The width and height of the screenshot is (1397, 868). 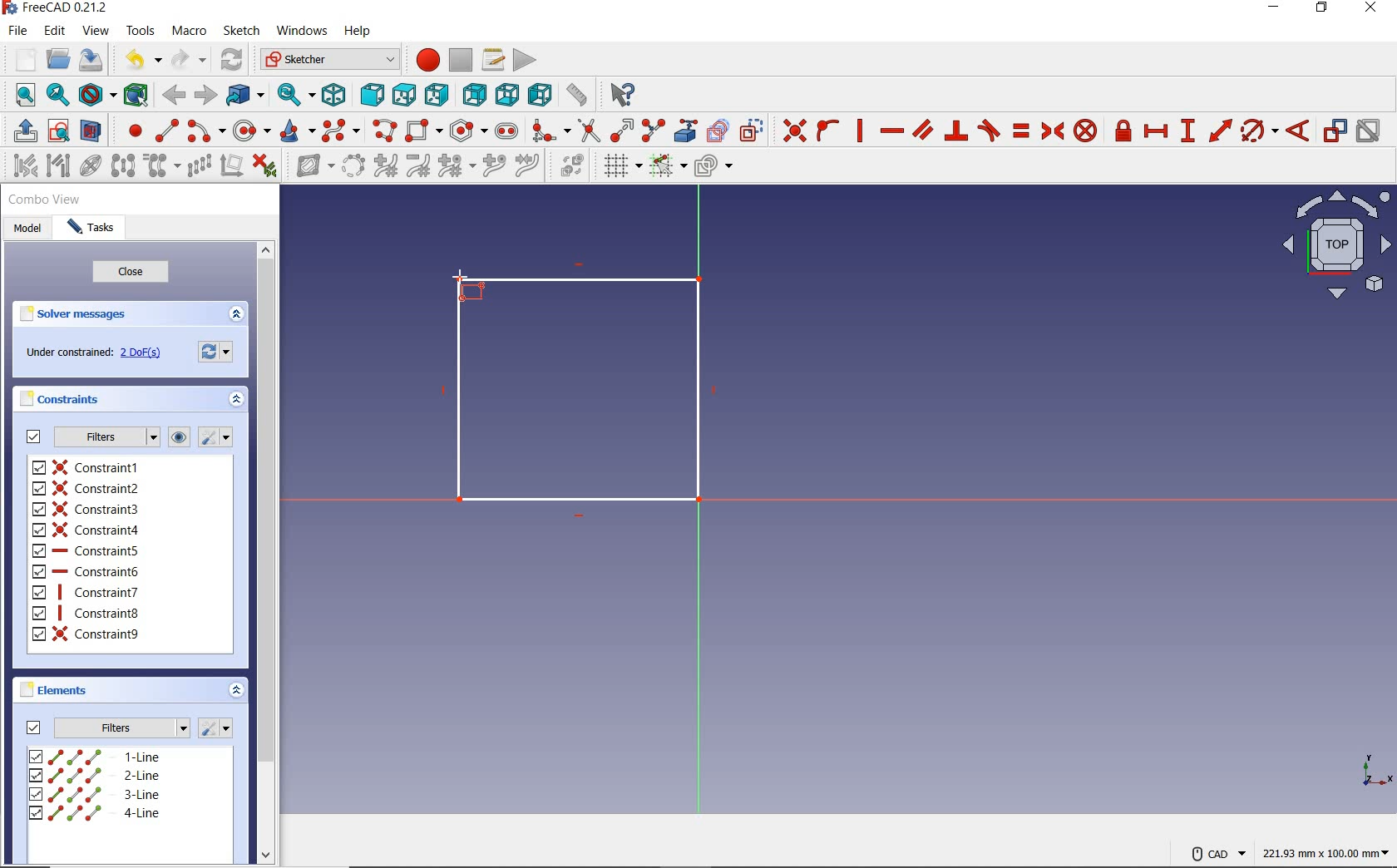 I want to click on modify knot multiplicity, so click(x=455, y=167).